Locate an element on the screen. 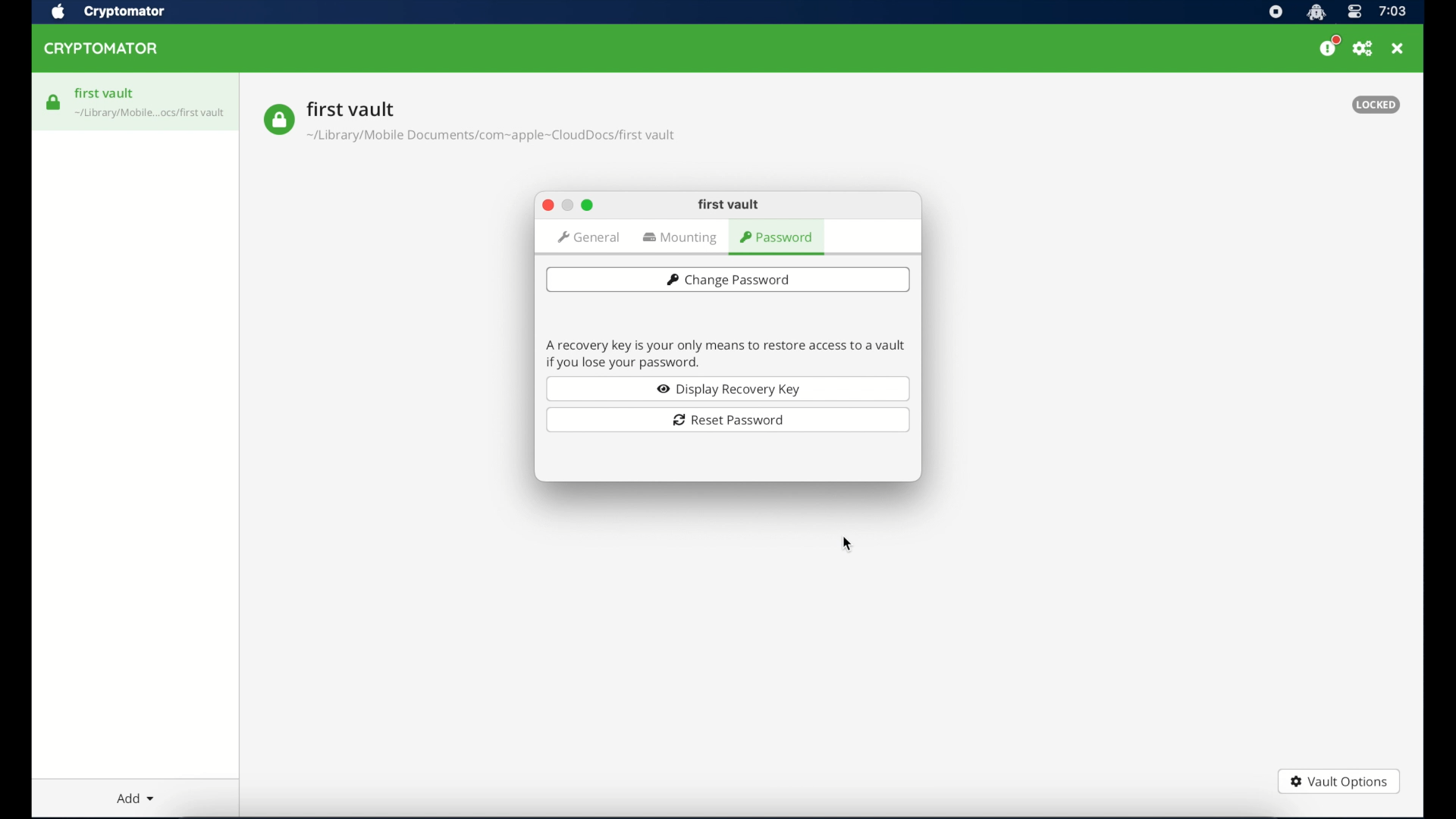 Image resolution: width=1456 pixels, height=819 pixels. cursor is located at coordinates (850, 545).